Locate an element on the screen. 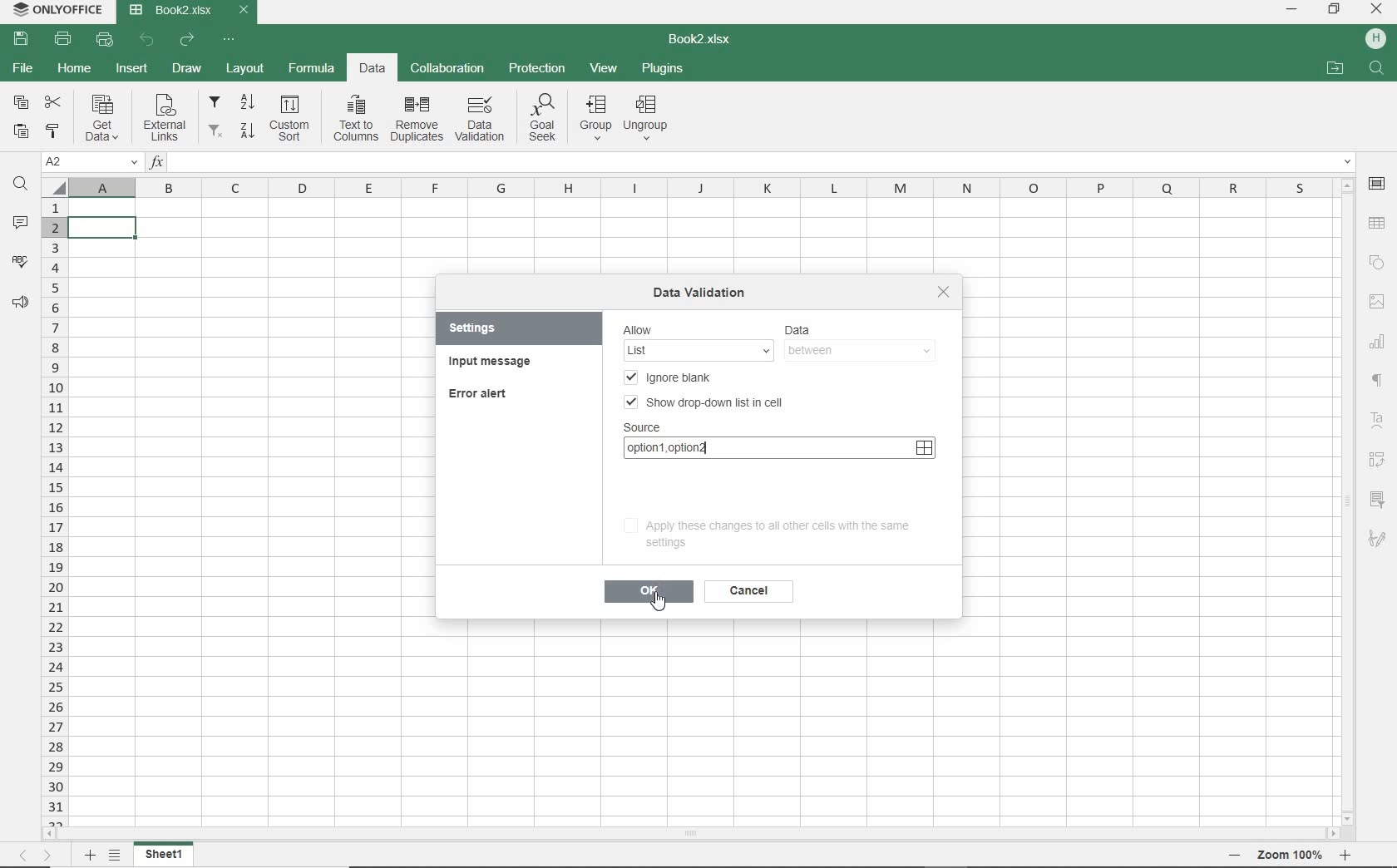  settings is located at coordinates (486, 328).